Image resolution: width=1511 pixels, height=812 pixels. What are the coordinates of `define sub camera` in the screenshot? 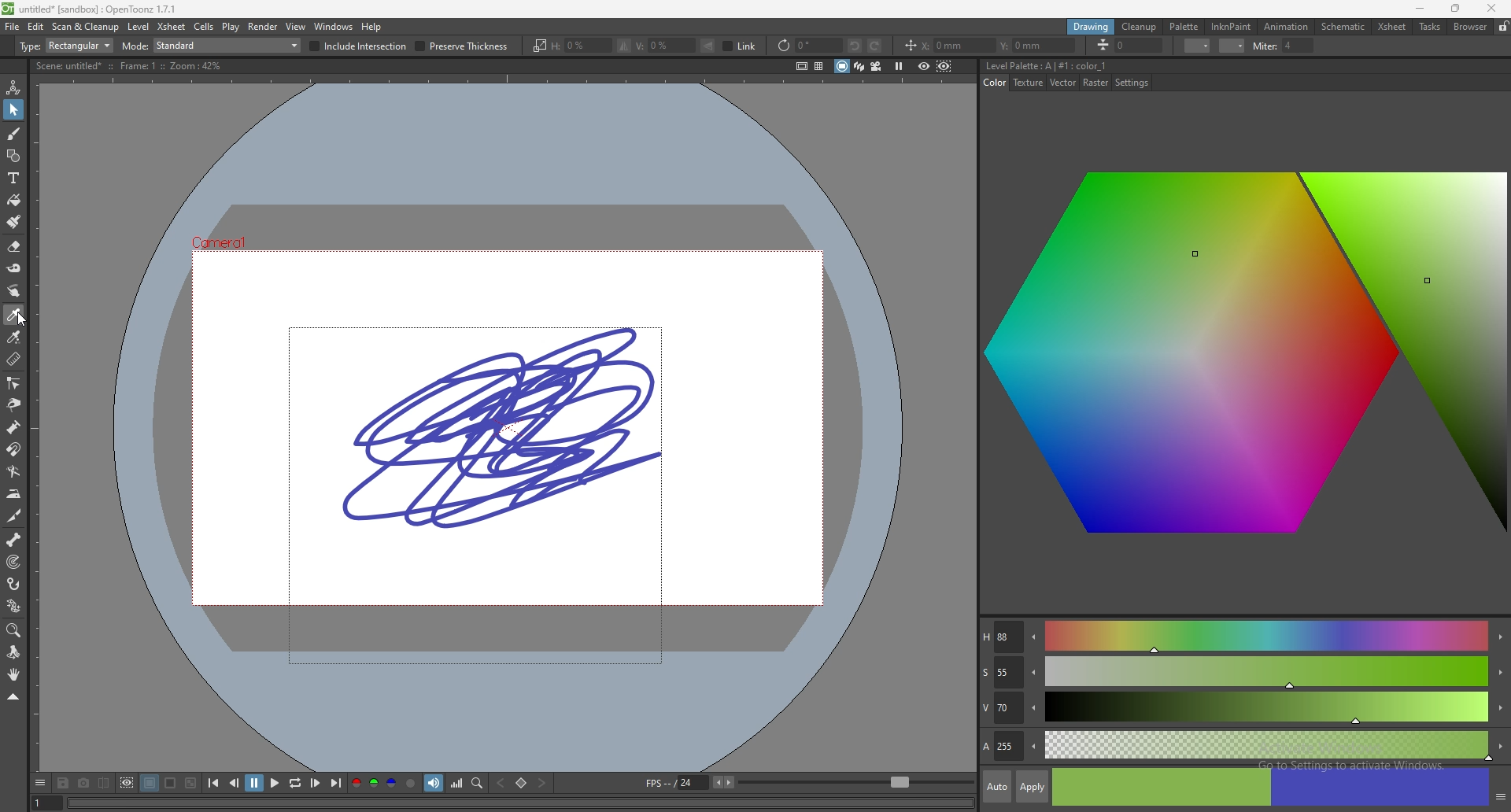 It's located at (127, 782).